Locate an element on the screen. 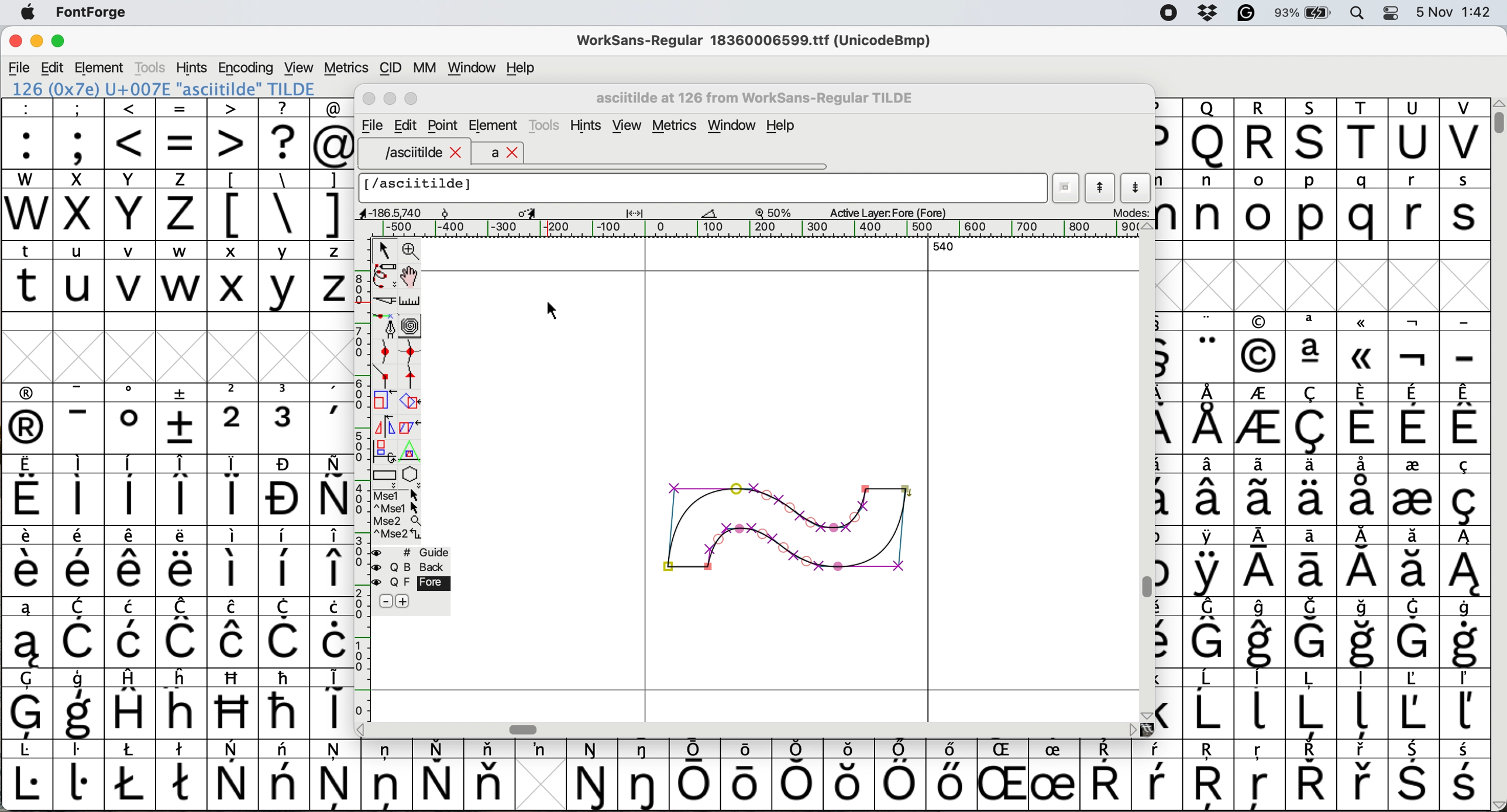 The height and width of the screenshot is (812, 1507).  is located at coordinates (1211, 776).